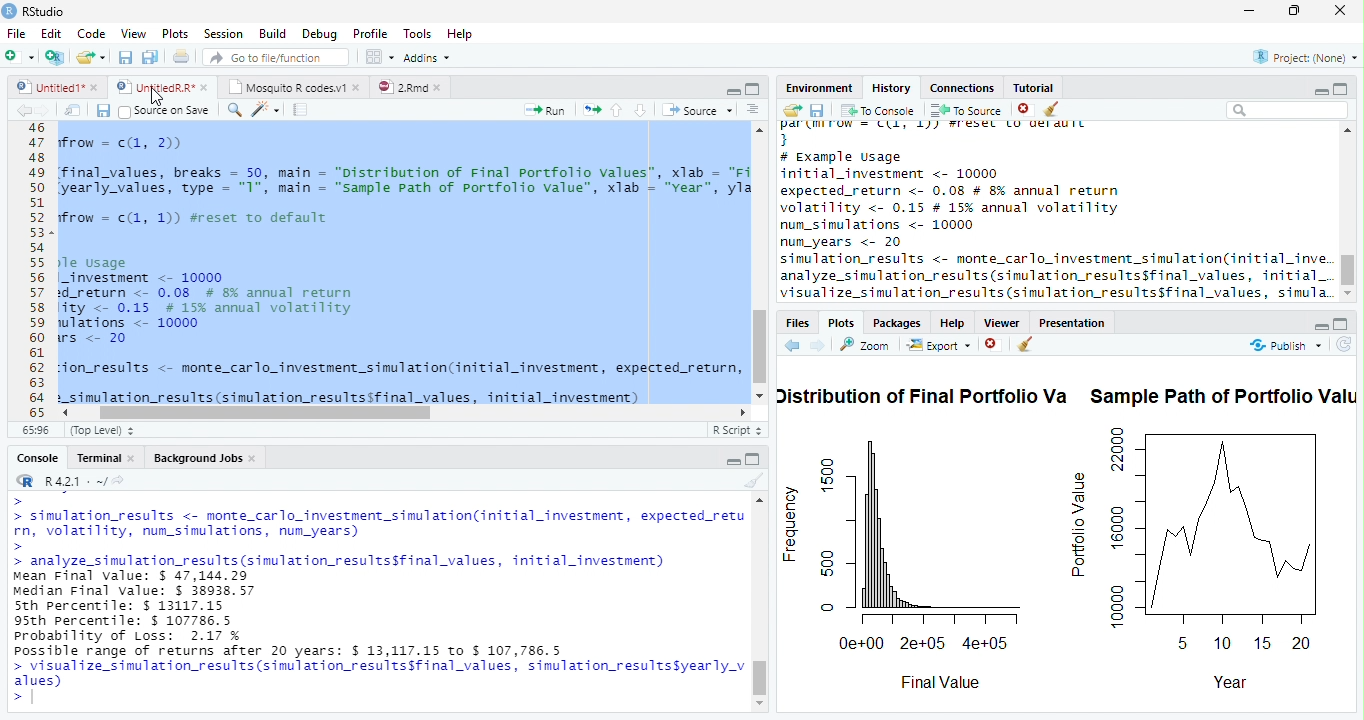  I want to click on previous source location, so click(23, 110).